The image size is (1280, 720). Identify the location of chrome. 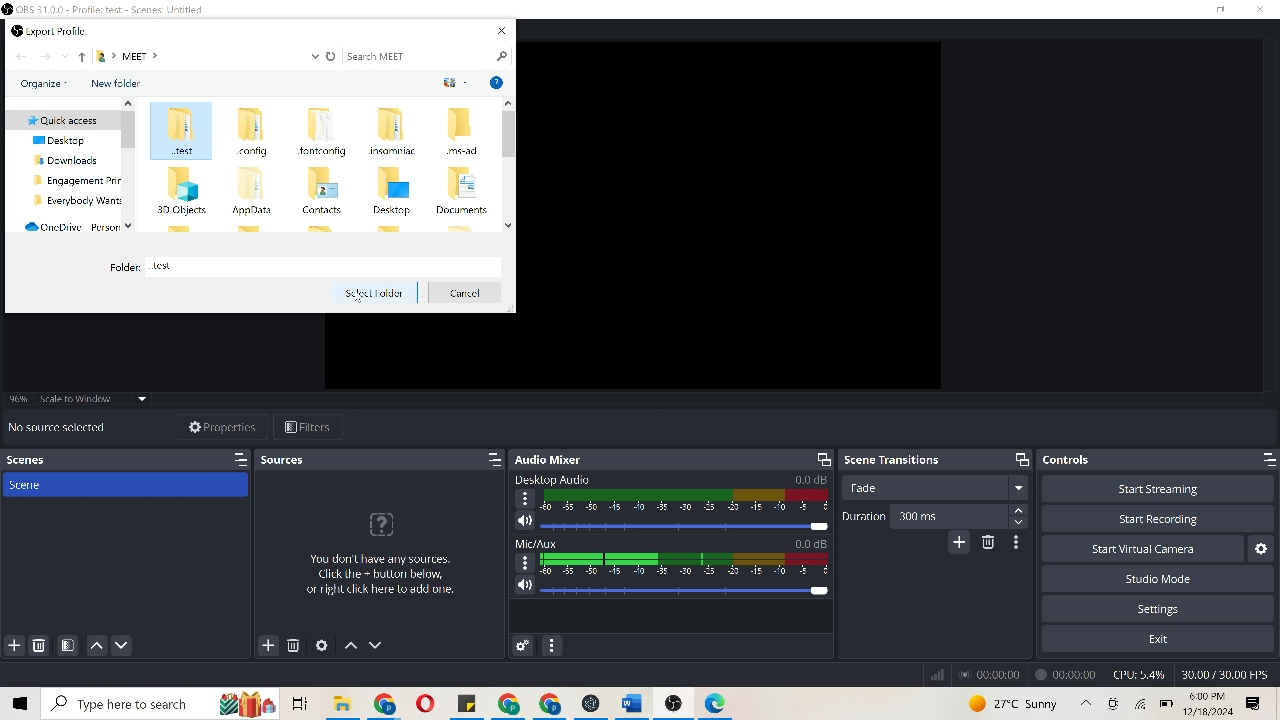
(389, 704).